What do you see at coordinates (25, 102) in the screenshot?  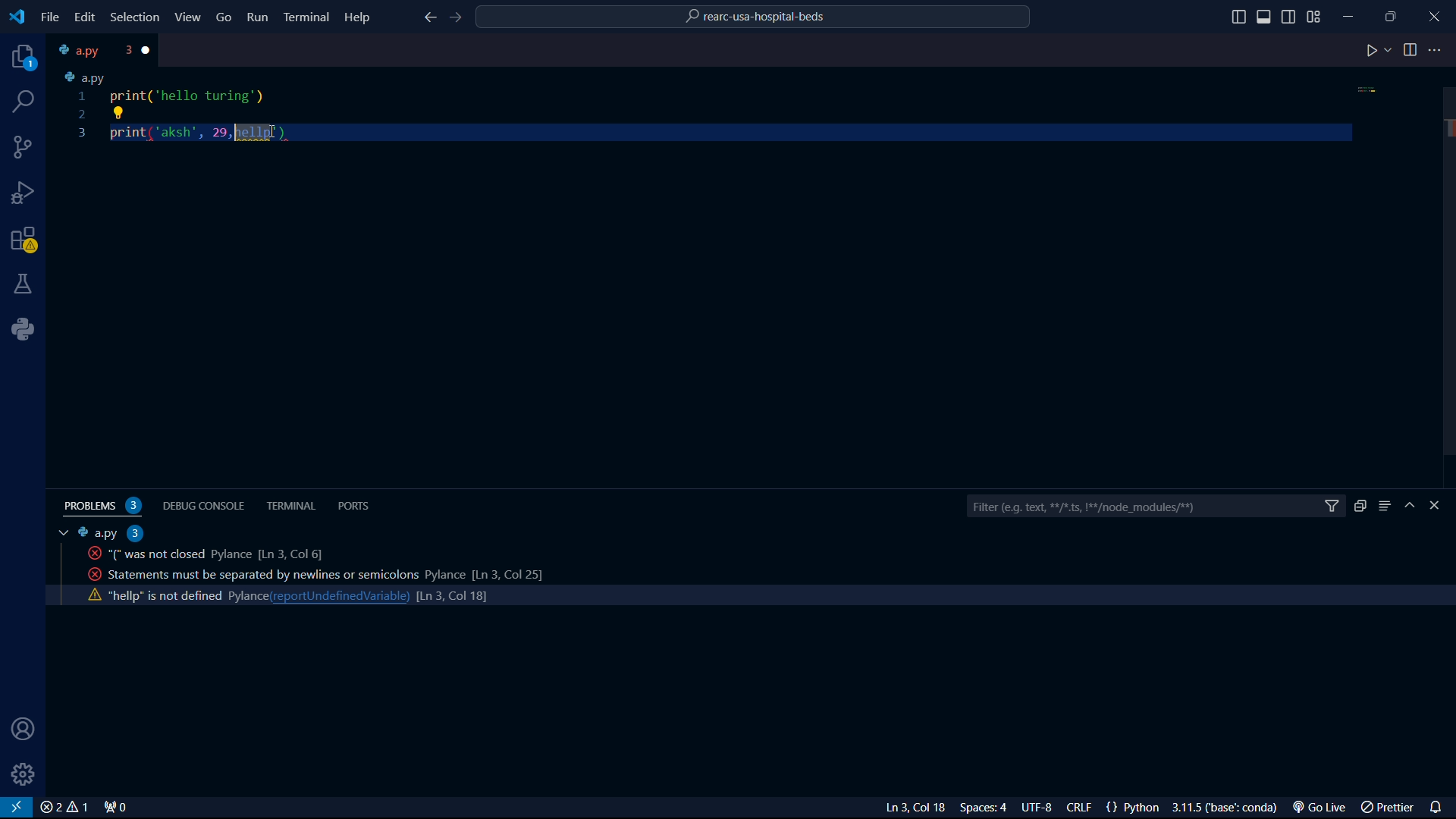 I see `search` at bounding box center [25, 102].